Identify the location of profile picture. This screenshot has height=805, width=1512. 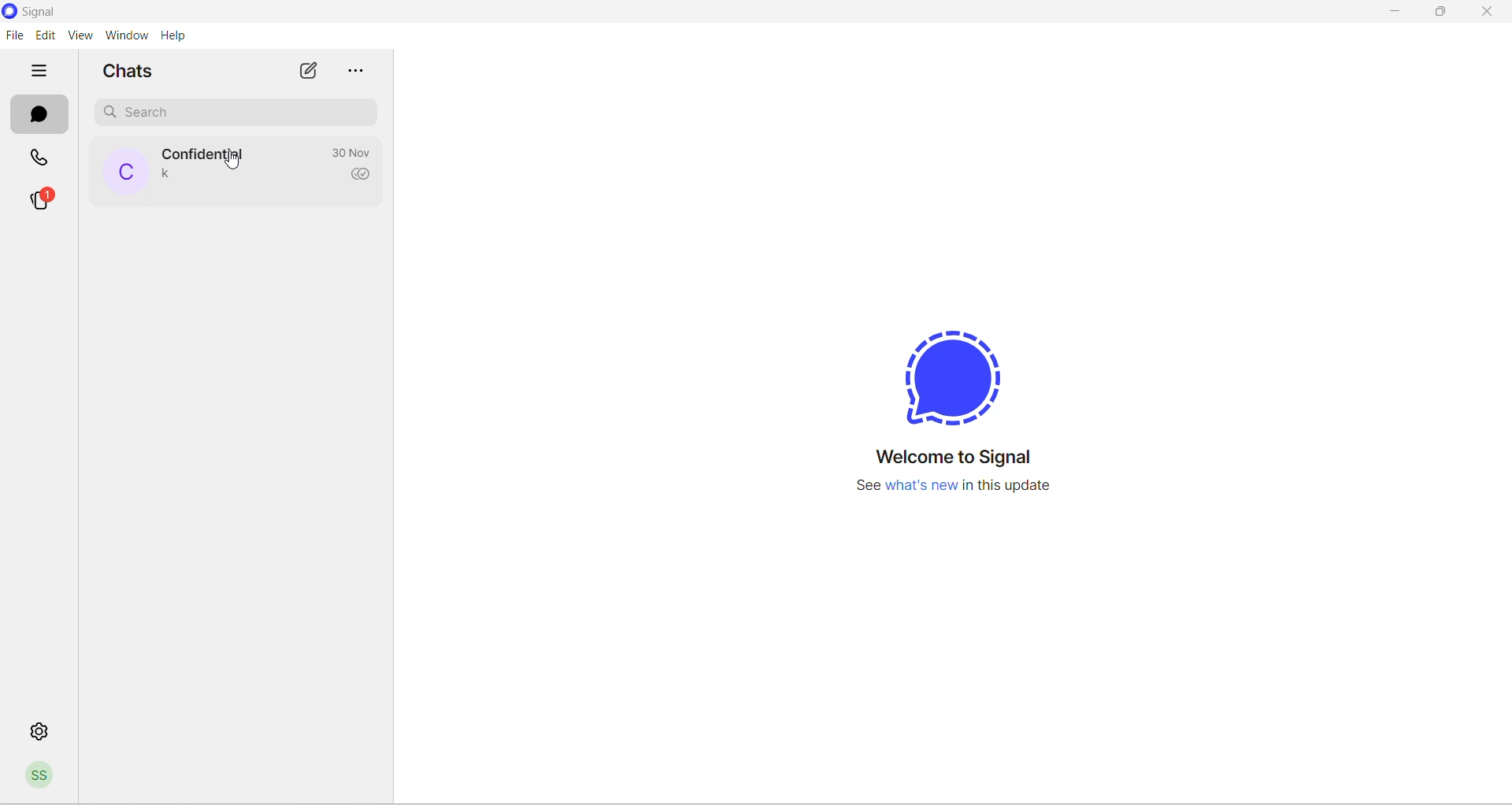
(238, 165).